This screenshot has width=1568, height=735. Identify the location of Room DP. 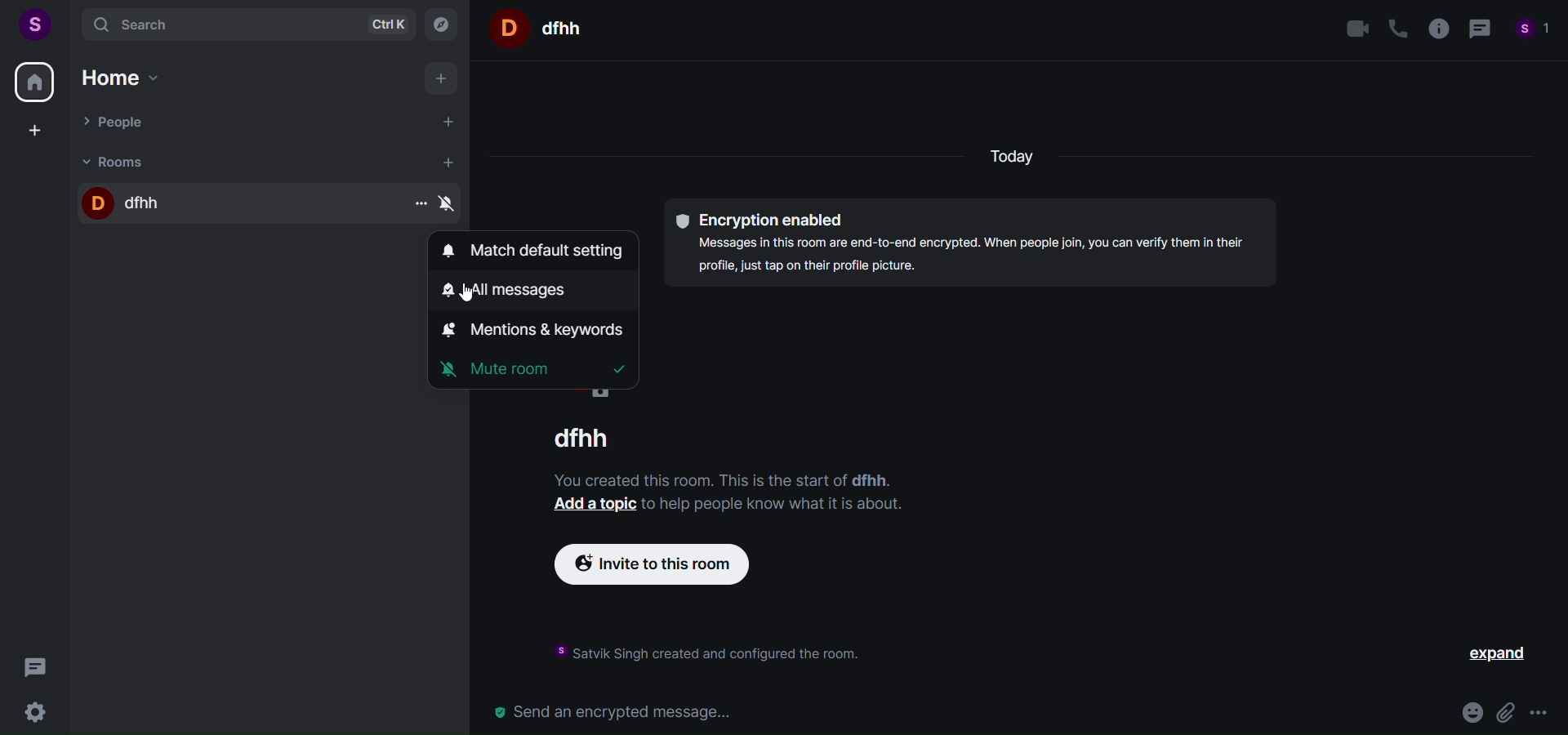
(506, 28).